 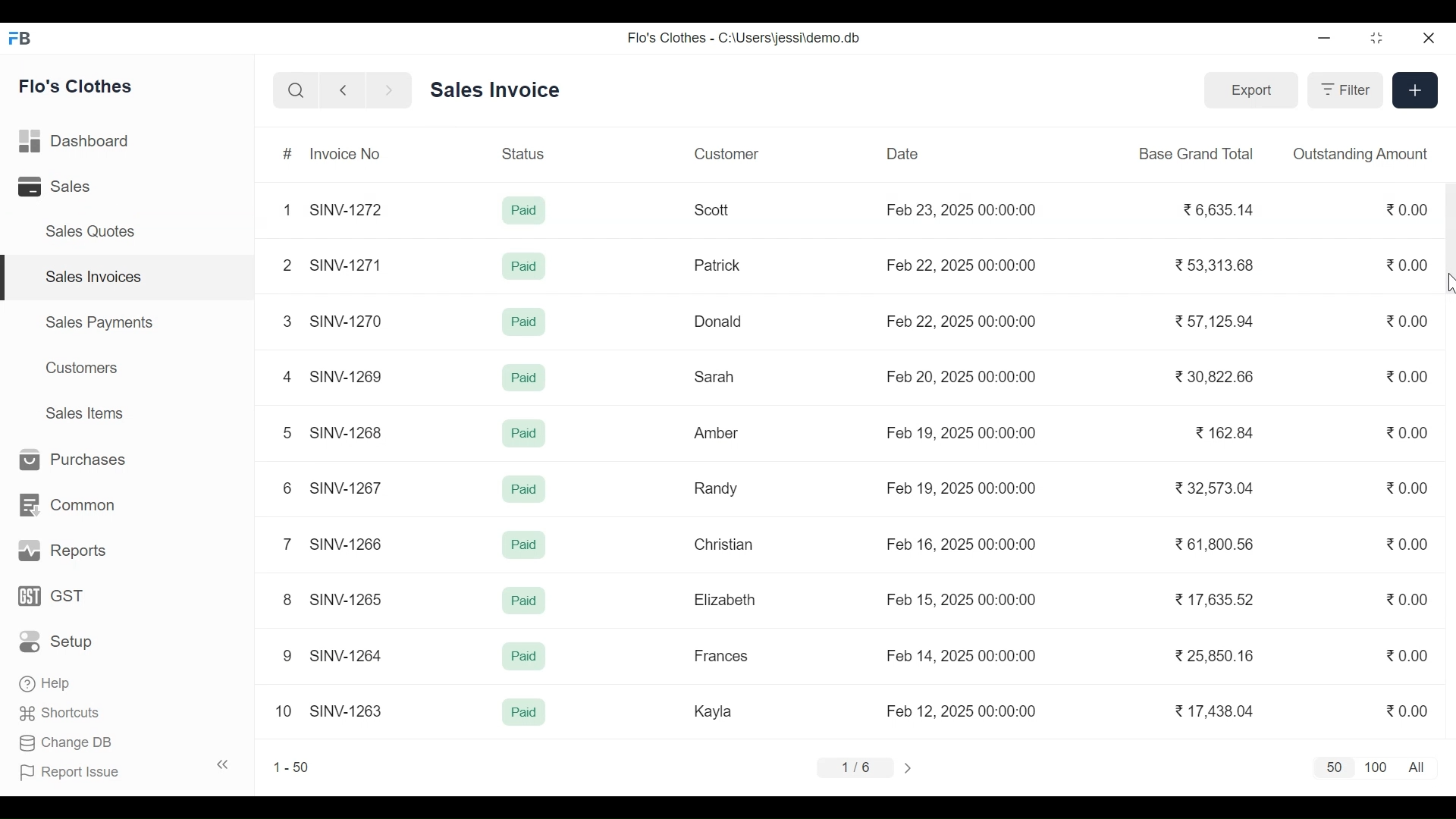 I want to click on 0.00, so click(x=1404, y=657).